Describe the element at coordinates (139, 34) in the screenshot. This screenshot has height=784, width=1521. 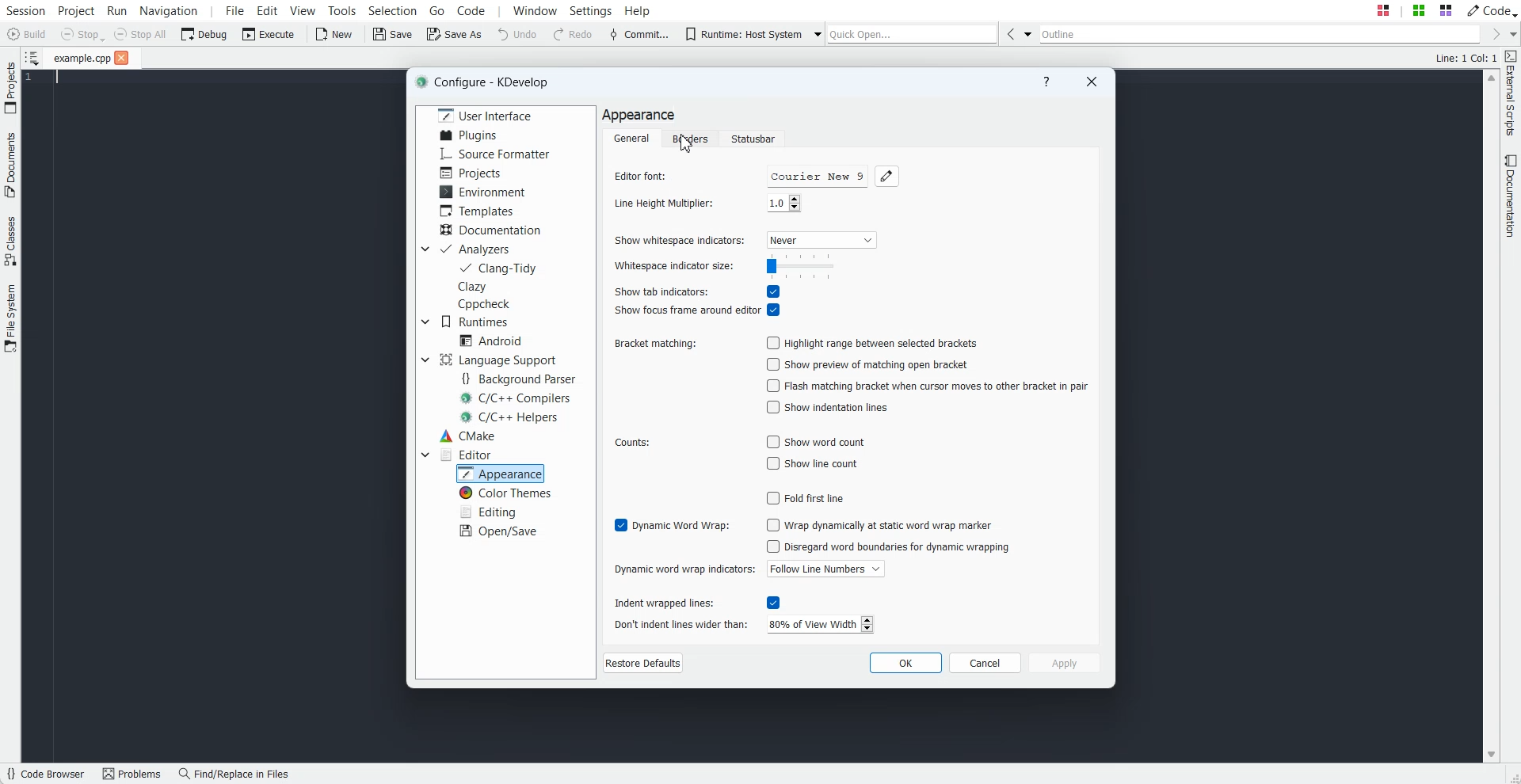
I see `Stop All` at that location.